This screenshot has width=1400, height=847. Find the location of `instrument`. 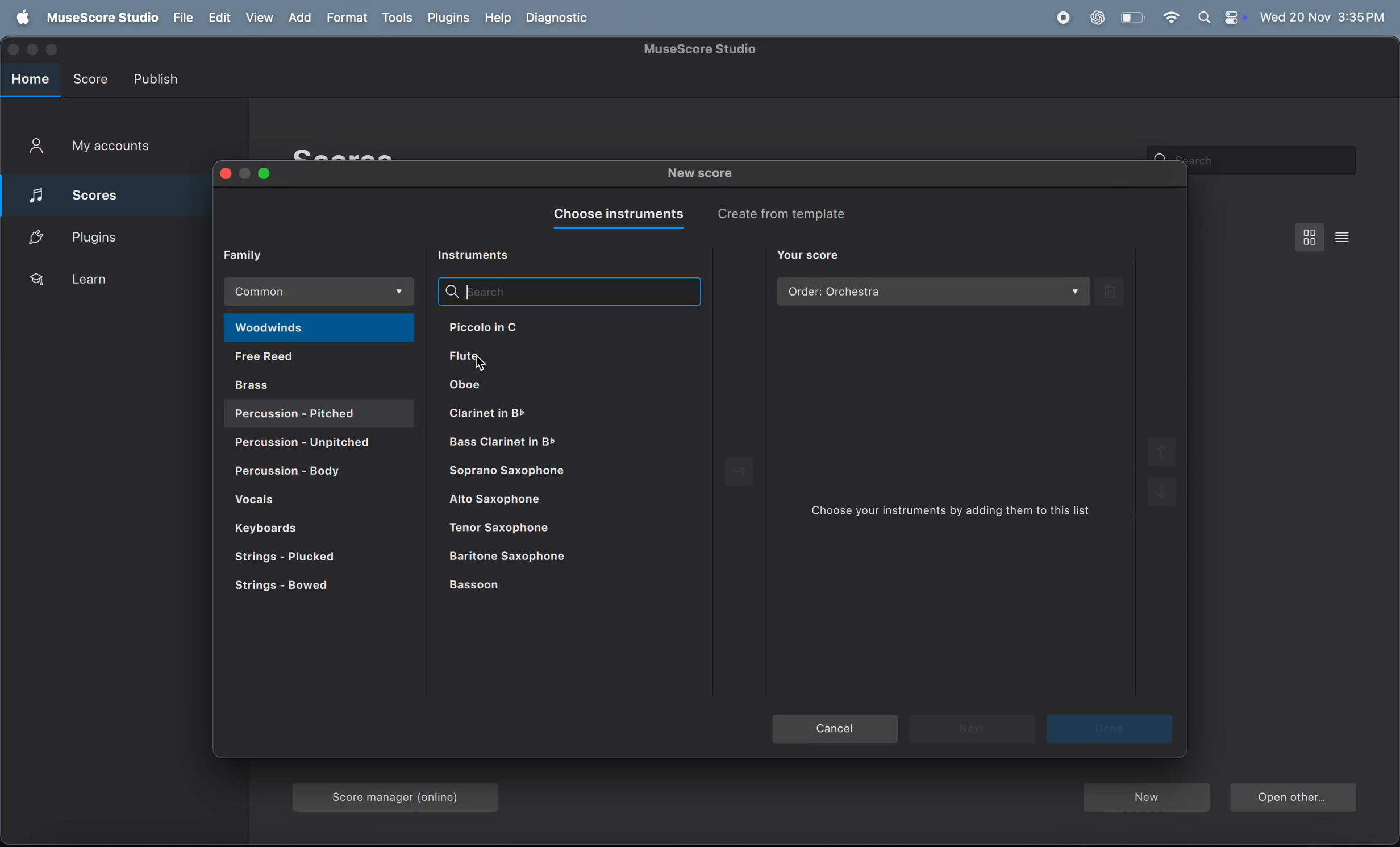

instrument is located at coordinates (479, 256).